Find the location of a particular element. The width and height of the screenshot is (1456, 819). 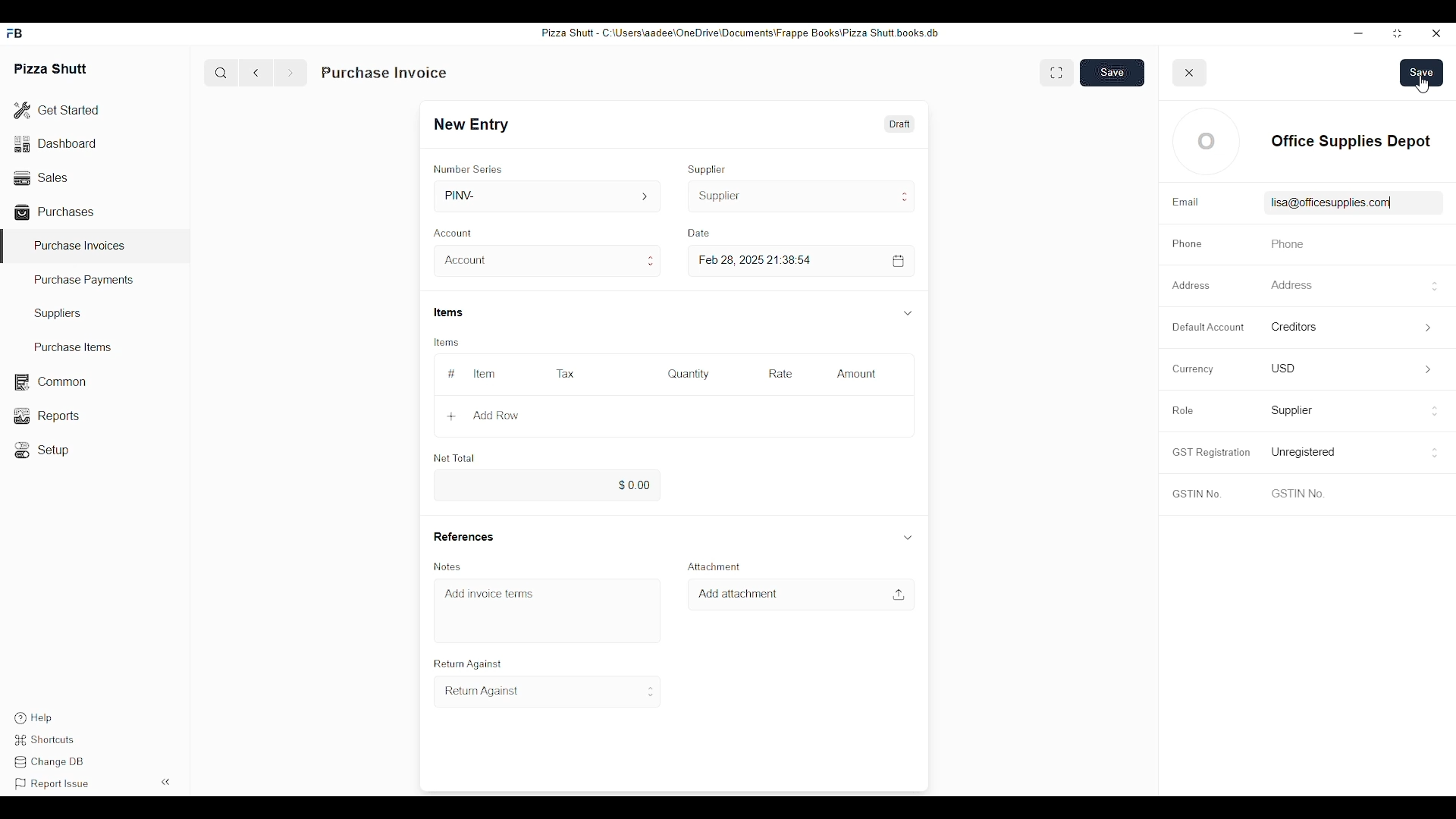

Common is located at coordinates (49, 382).